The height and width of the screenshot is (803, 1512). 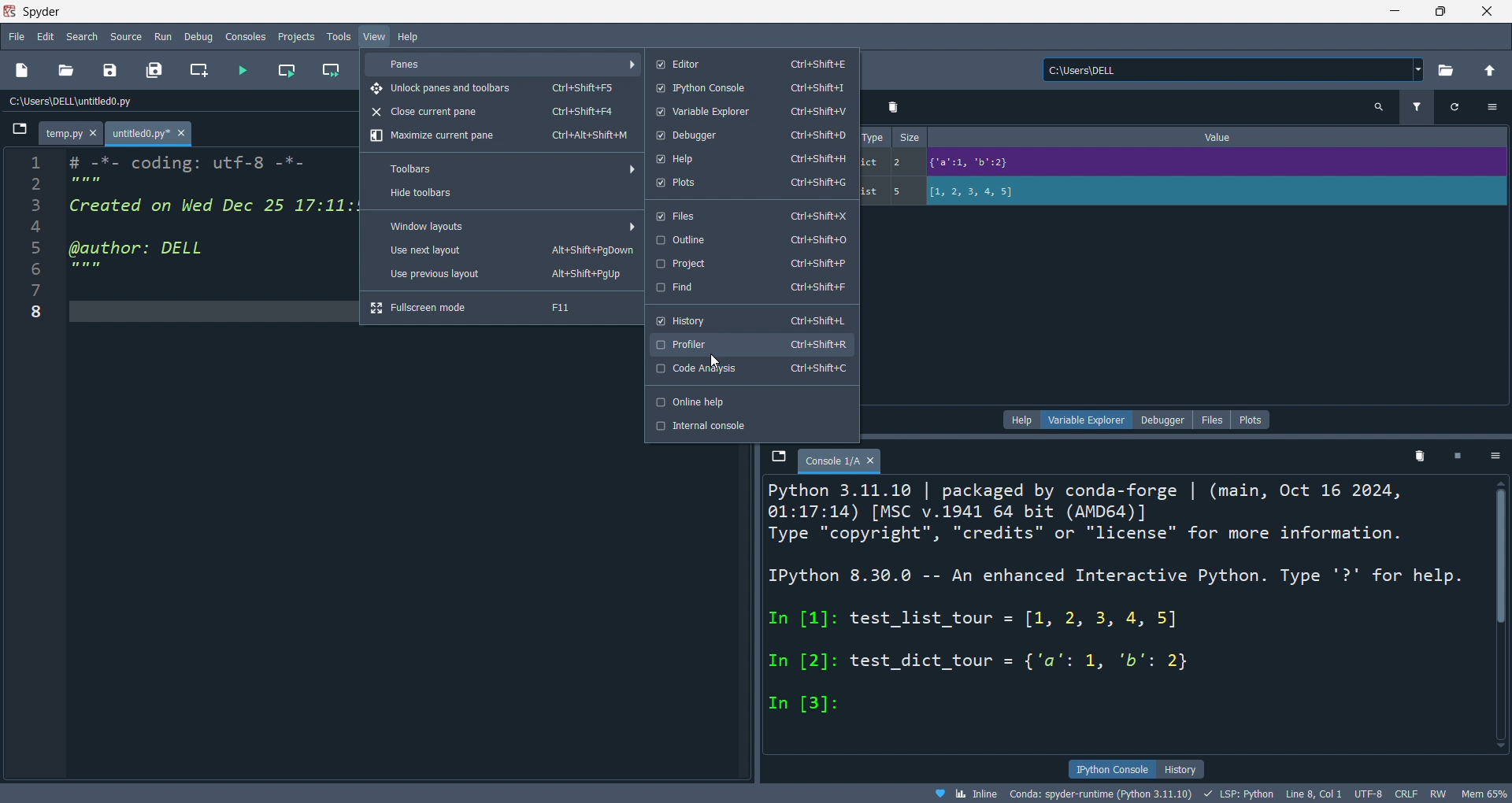 I want to click on new cell, so click(x=197, y=69).